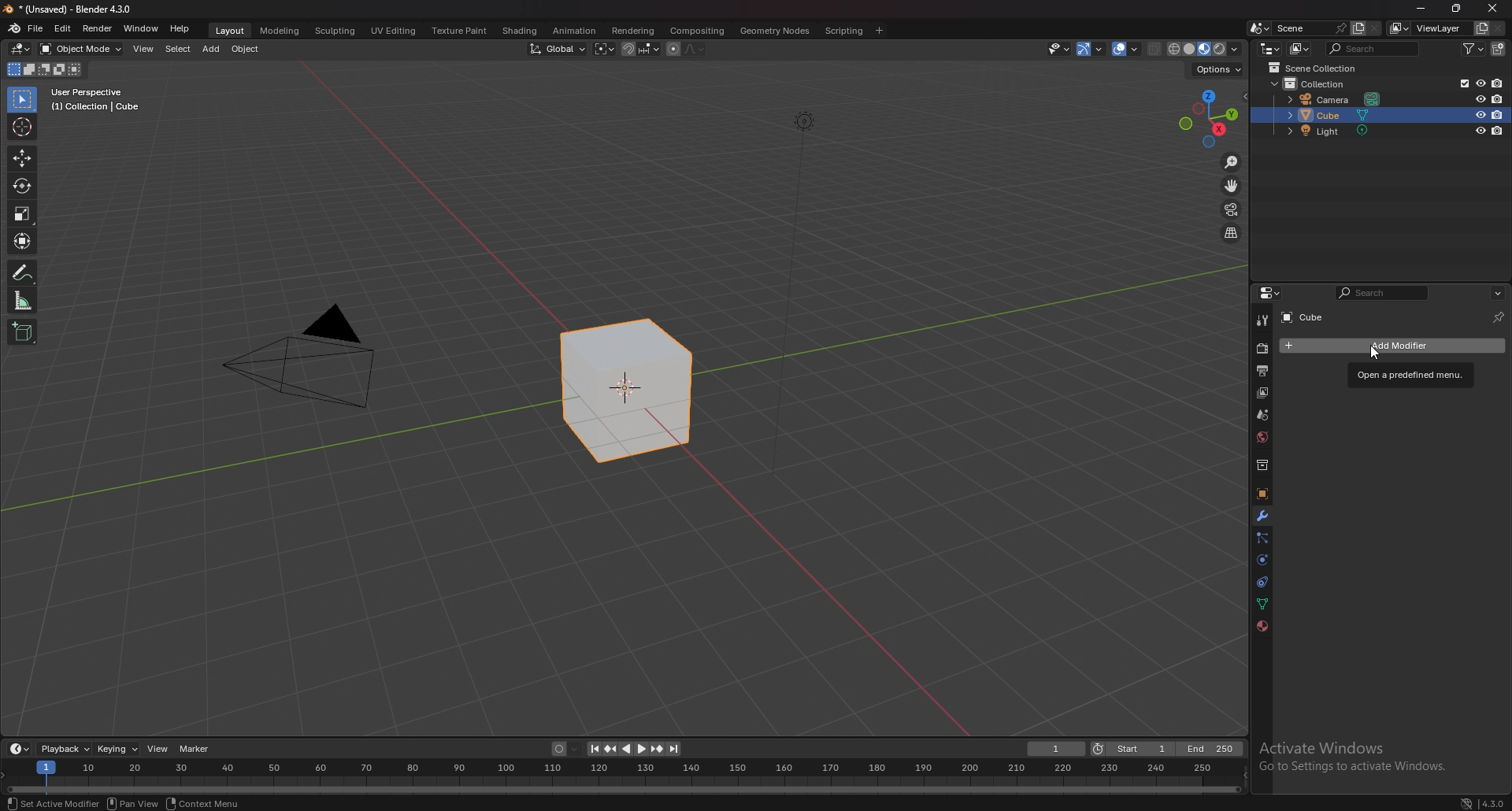 The image size is (1512, 811). What do you see at coordinates (1462, 83) in the screenshot?
I see `exclude from view layer` at bounding box center [1462, 83].